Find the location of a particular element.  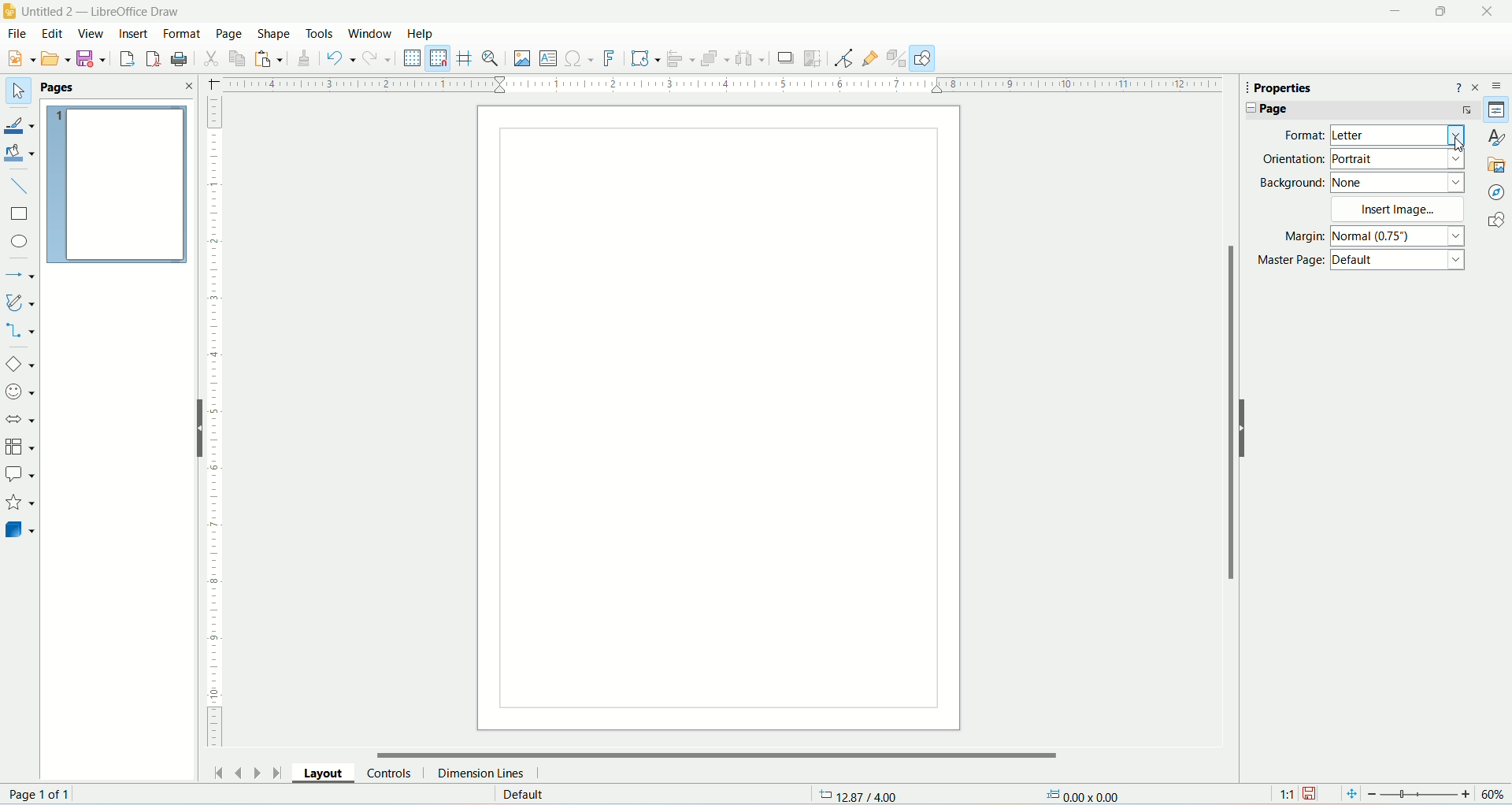

save is located at coordinates (93, 59).